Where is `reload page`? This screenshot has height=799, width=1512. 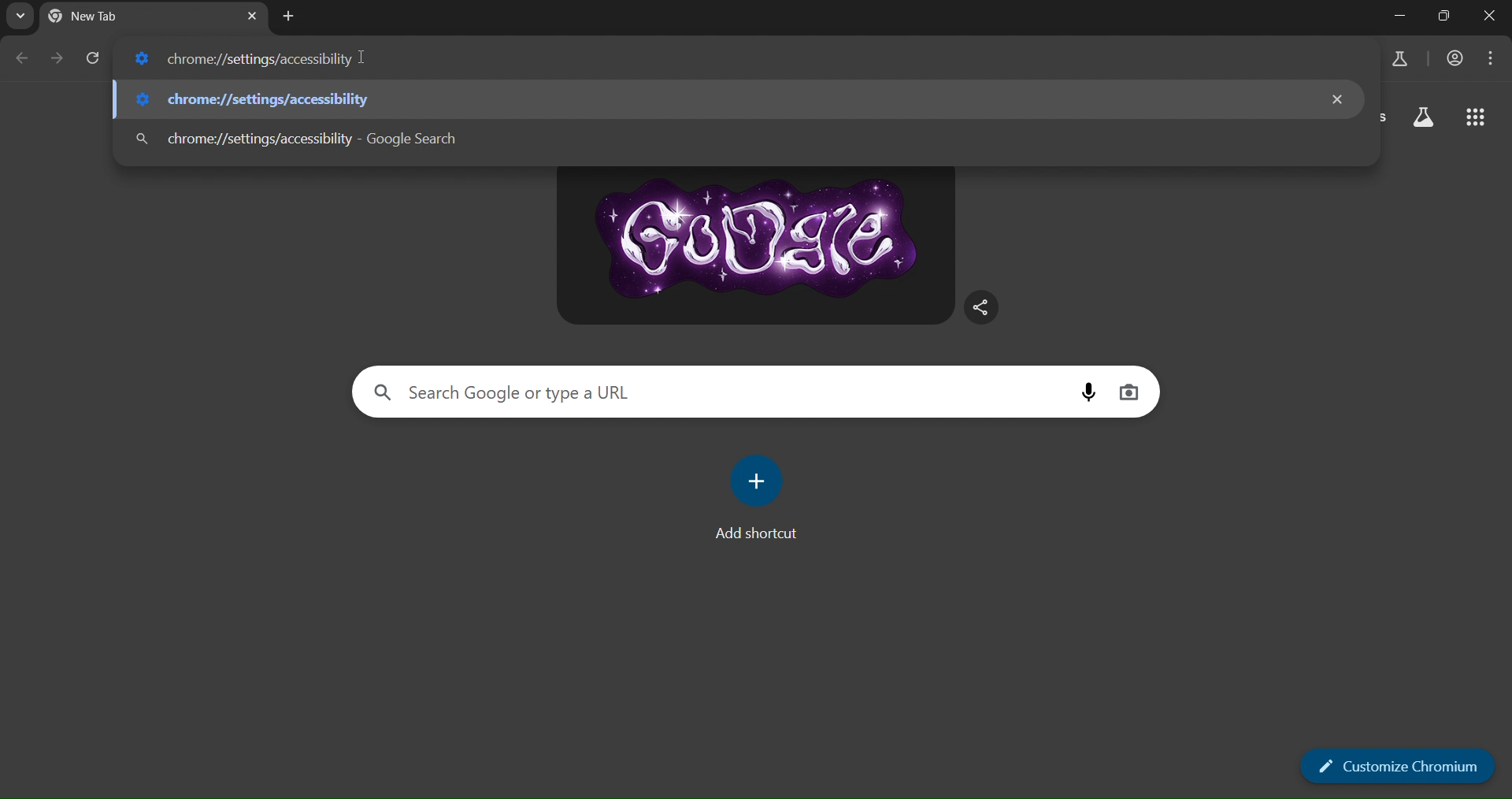 reload page is located at coordinates (95, 58).